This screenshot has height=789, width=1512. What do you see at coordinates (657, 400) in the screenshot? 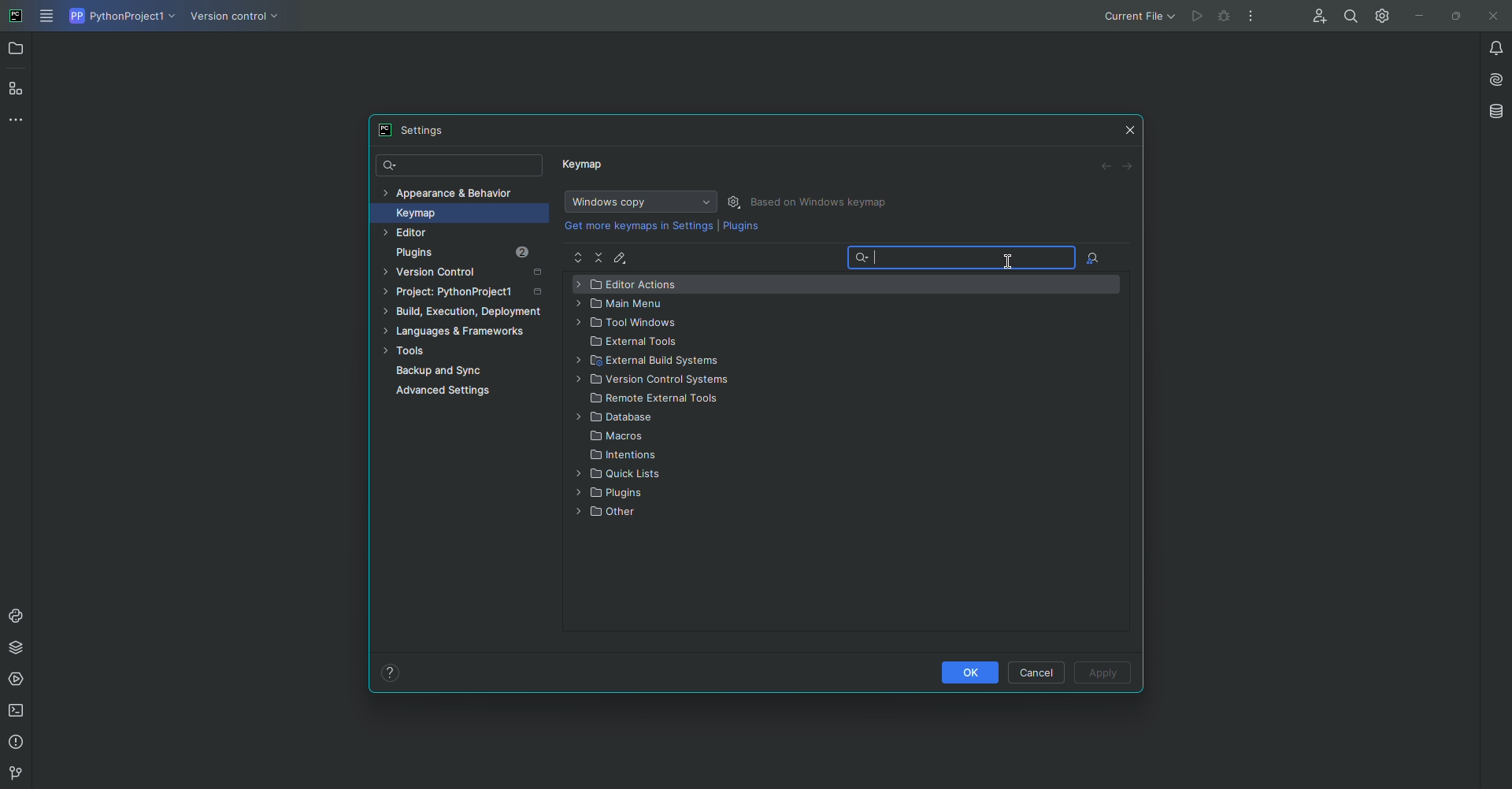
I see `Remote External Tools` at bounding box center [657, 400].